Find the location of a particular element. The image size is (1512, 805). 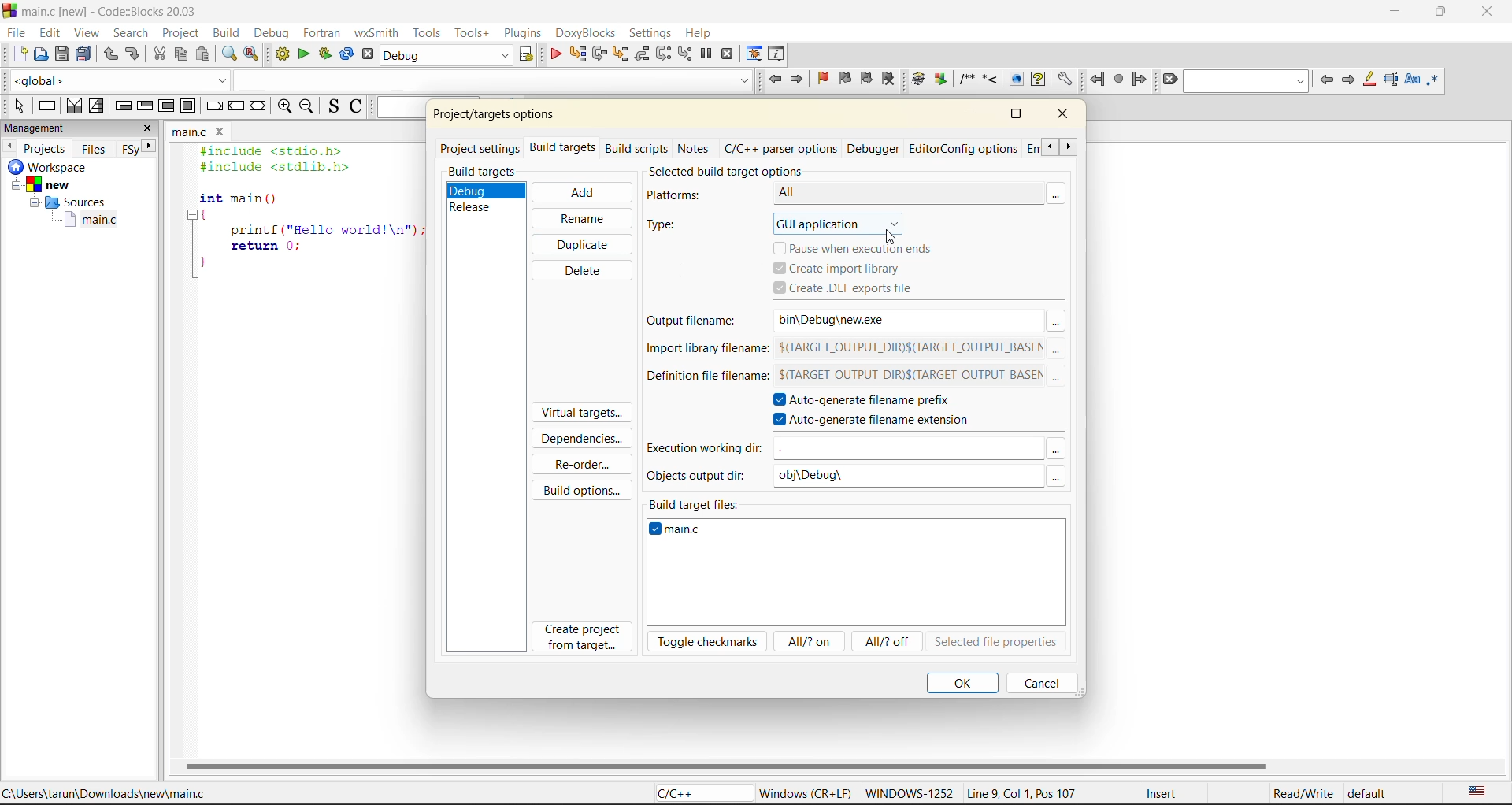

entry condition loop is located at coordinates (125, 106).